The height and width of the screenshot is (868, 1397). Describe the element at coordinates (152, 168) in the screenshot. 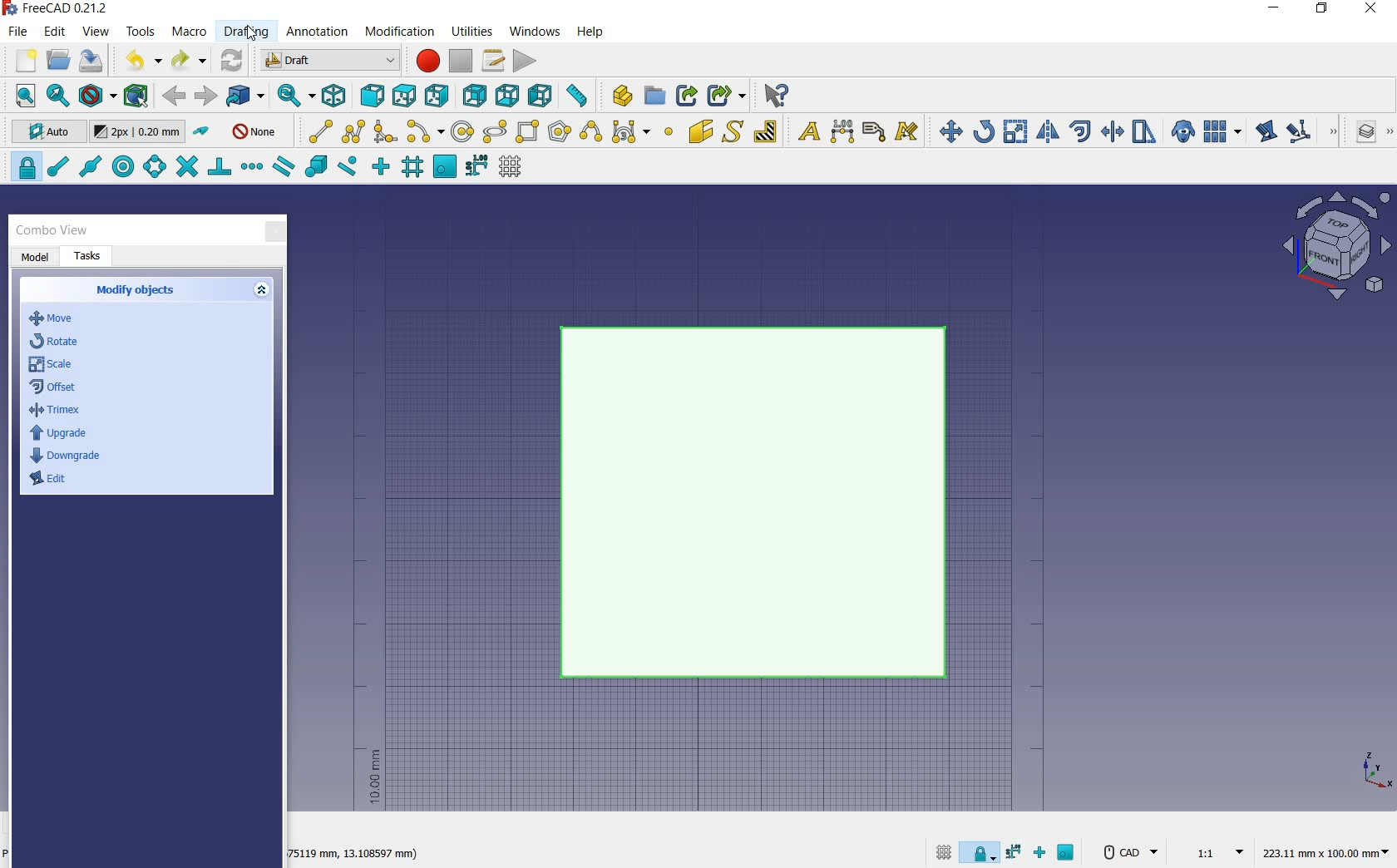

I see `snap angle` at that location.